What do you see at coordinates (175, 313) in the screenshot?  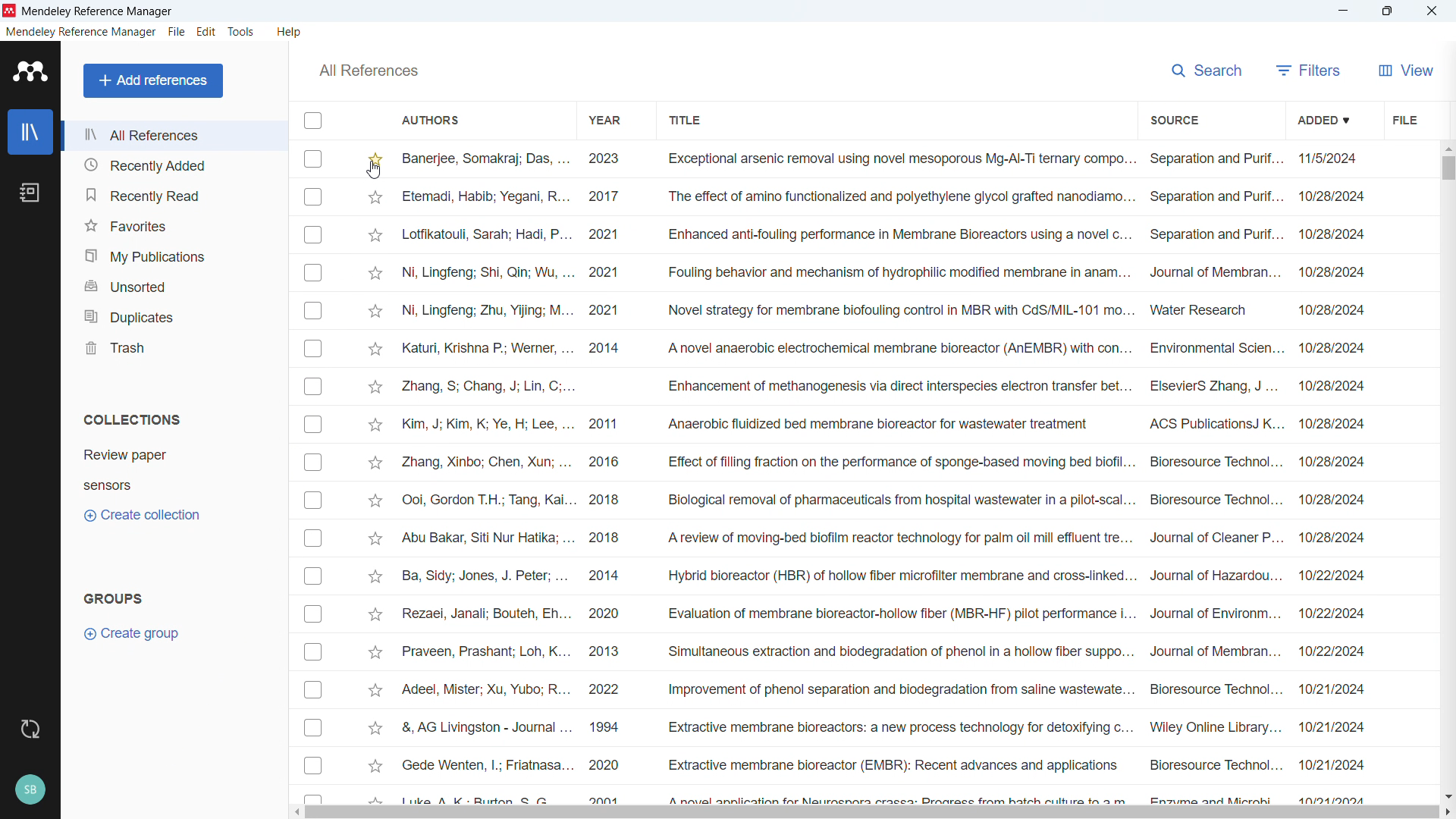 I see `Duplicates ` at bounding box center [175, 313].